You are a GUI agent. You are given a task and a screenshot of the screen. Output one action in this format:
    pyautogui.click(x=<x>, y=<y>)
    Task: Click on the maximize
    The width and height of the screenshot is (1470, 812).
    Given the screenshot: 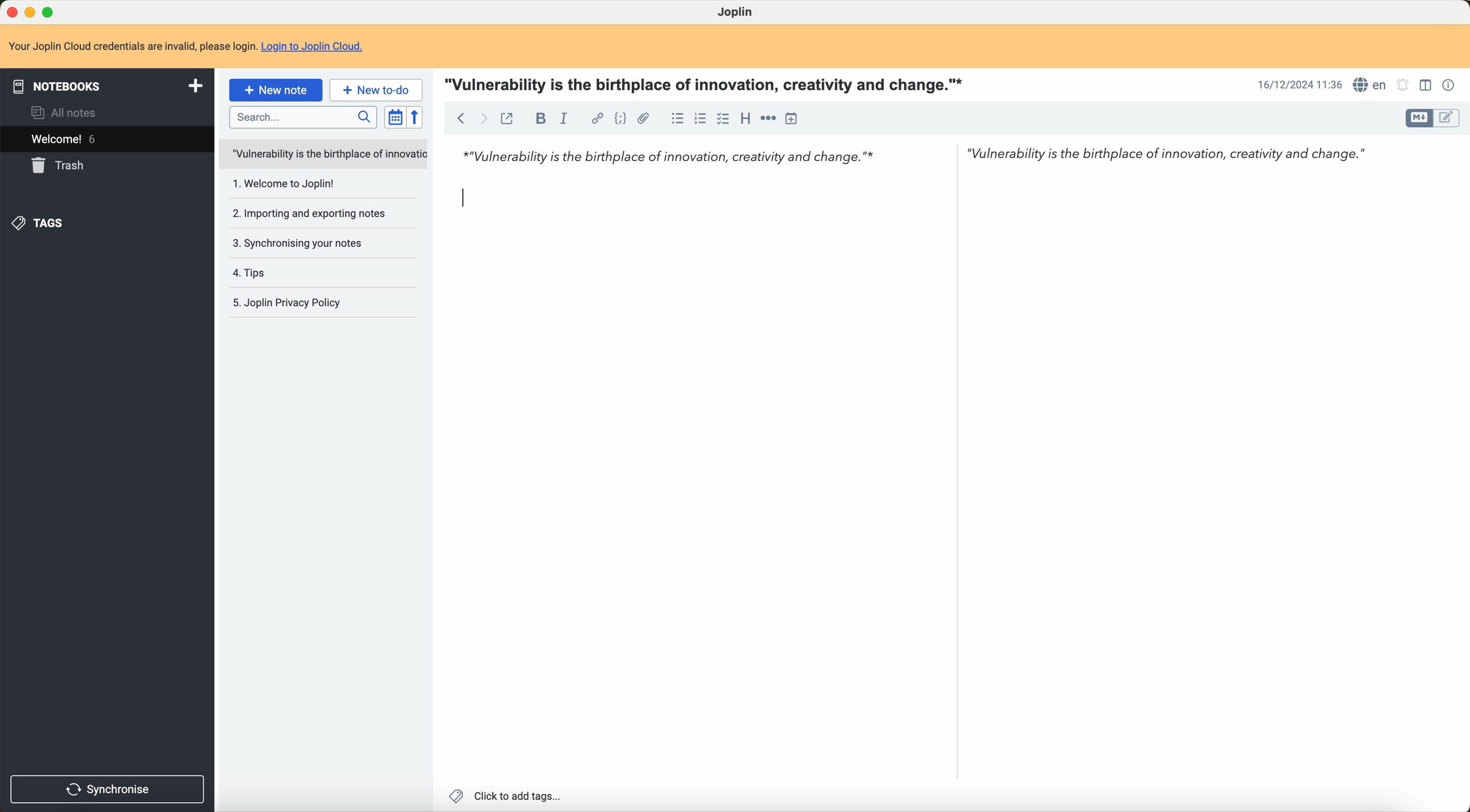 What is the action you would take?
    pyautogui.click(x=50, y=10)
    